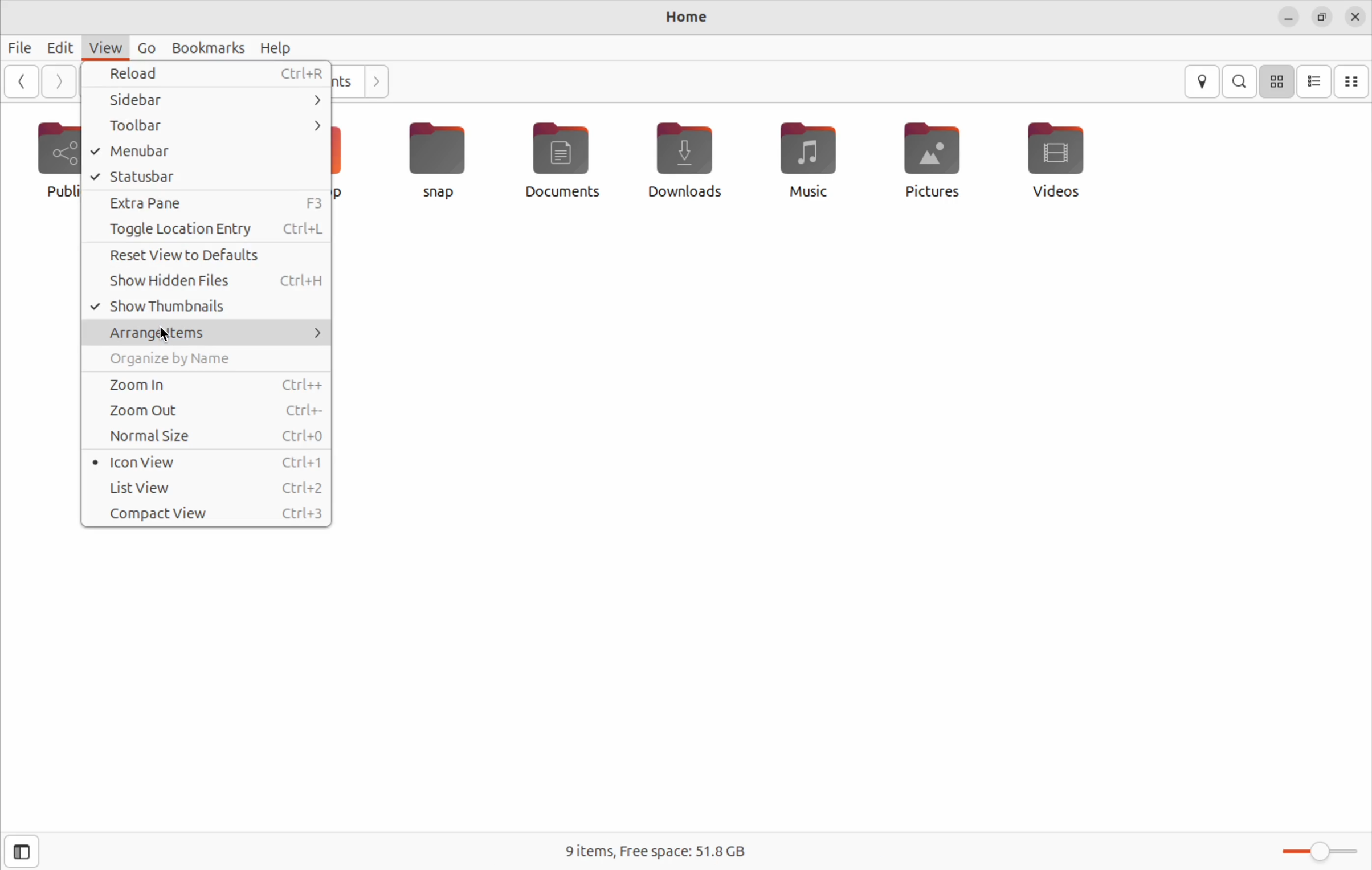 This screenshot has height=870, width=1372. What do you see at coordinates (1314, 83) in the screenshot?
I see `list view` at bounding box center [1314, 83].